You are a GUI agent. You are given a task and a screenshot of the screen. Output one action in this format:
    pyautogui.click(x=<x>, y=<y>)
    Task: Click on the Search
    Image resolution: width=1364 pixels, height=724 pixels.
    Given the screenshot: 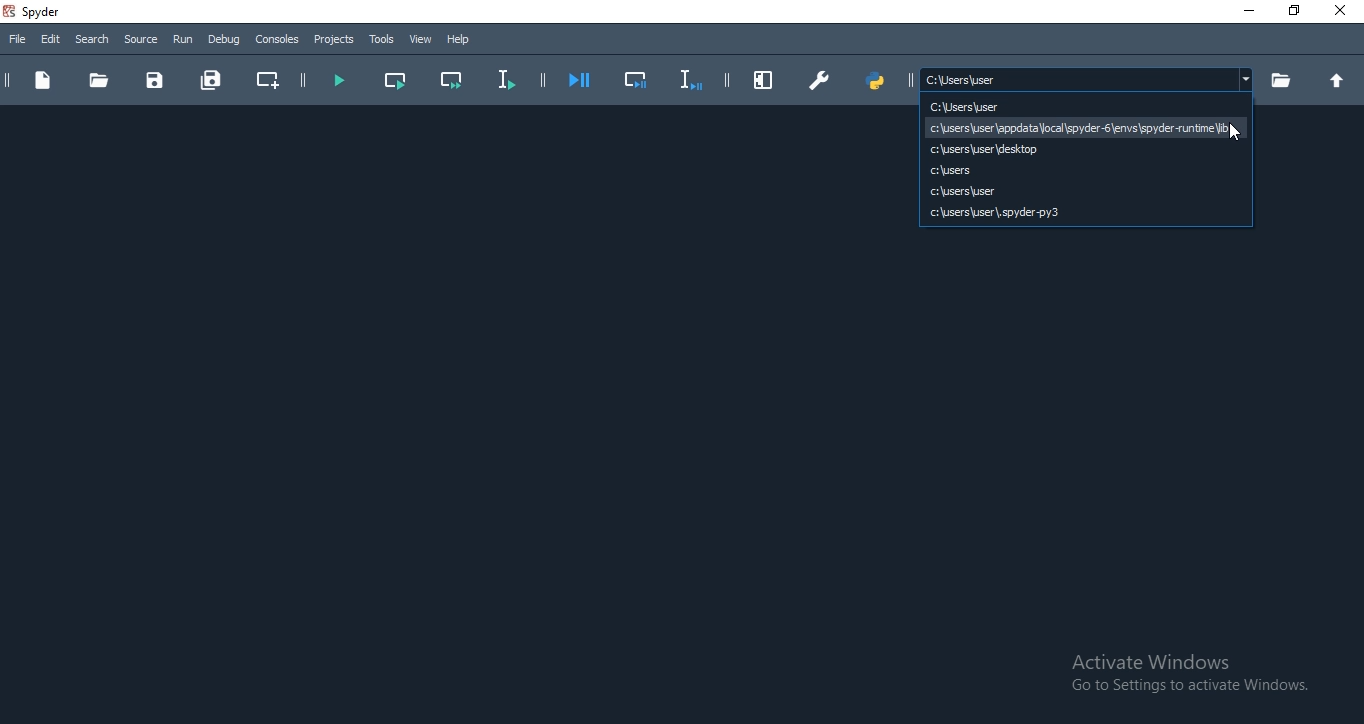 What is the action you would take?
    pyautogui.click(x=94, y=39)
    